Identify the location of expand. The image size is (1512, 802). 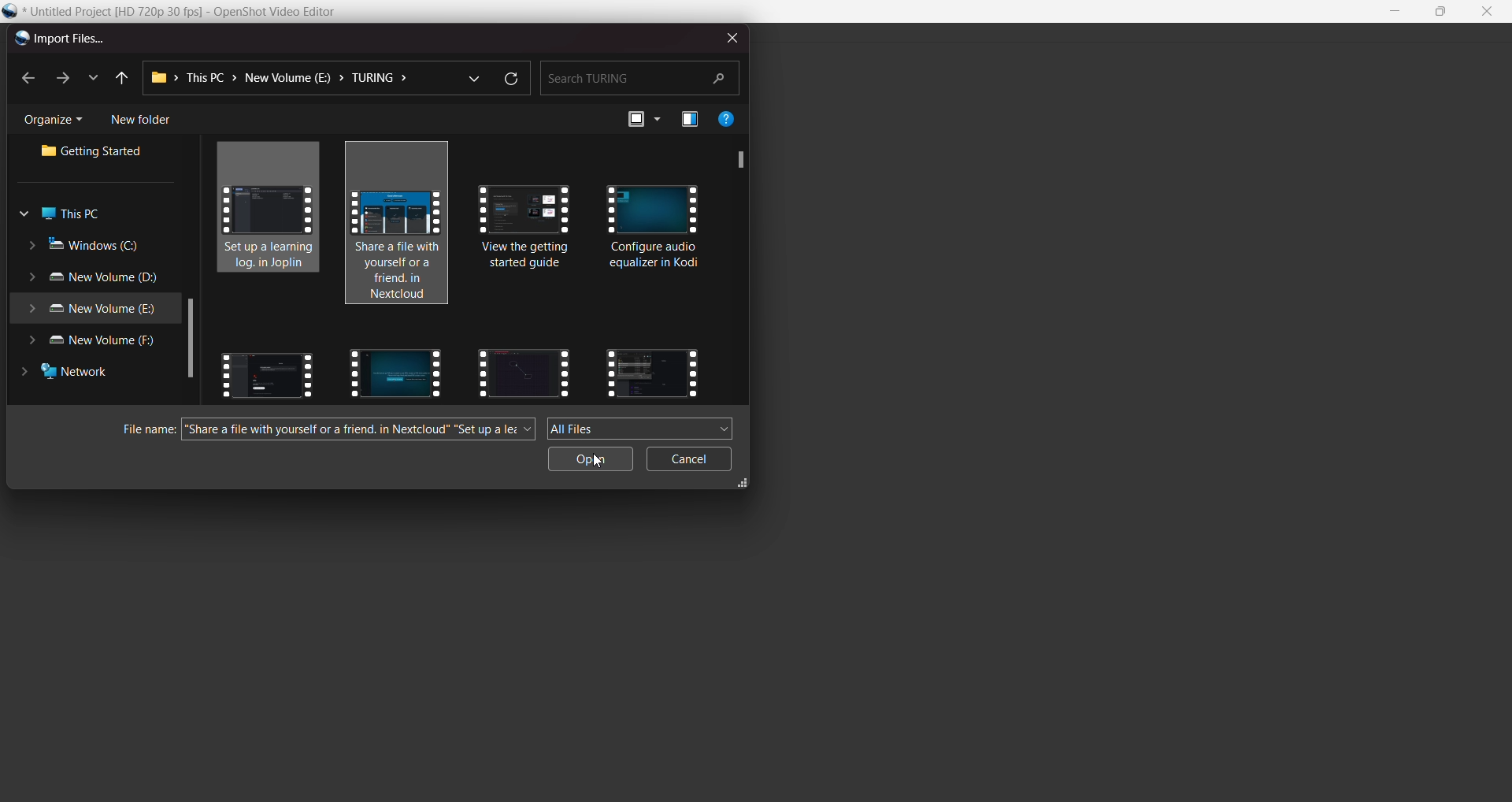
(744, 485).